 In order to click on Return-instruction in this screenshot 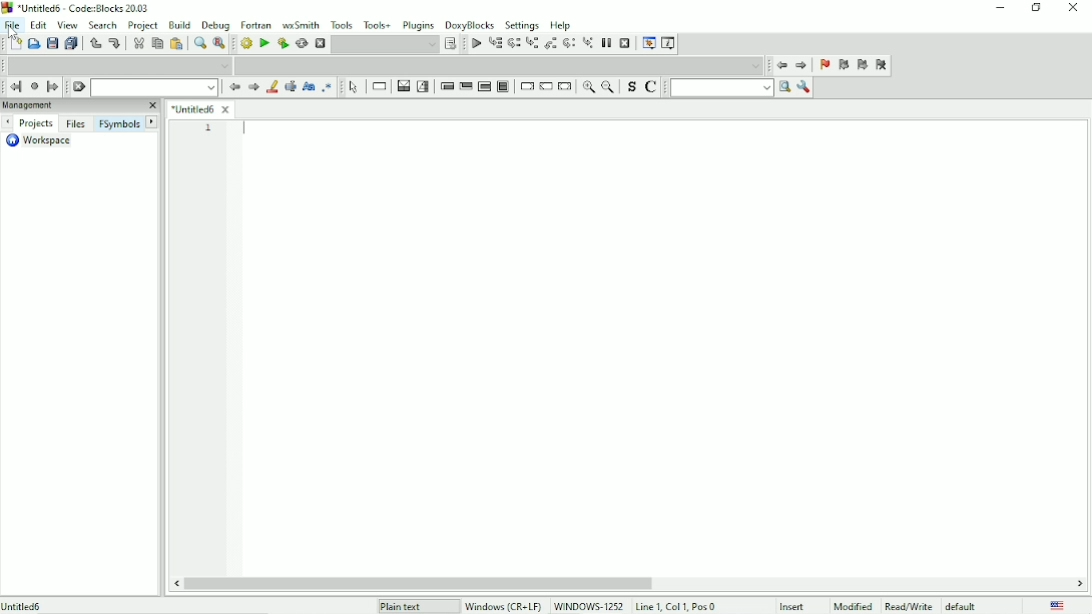, I will do `click(566, 86)`.